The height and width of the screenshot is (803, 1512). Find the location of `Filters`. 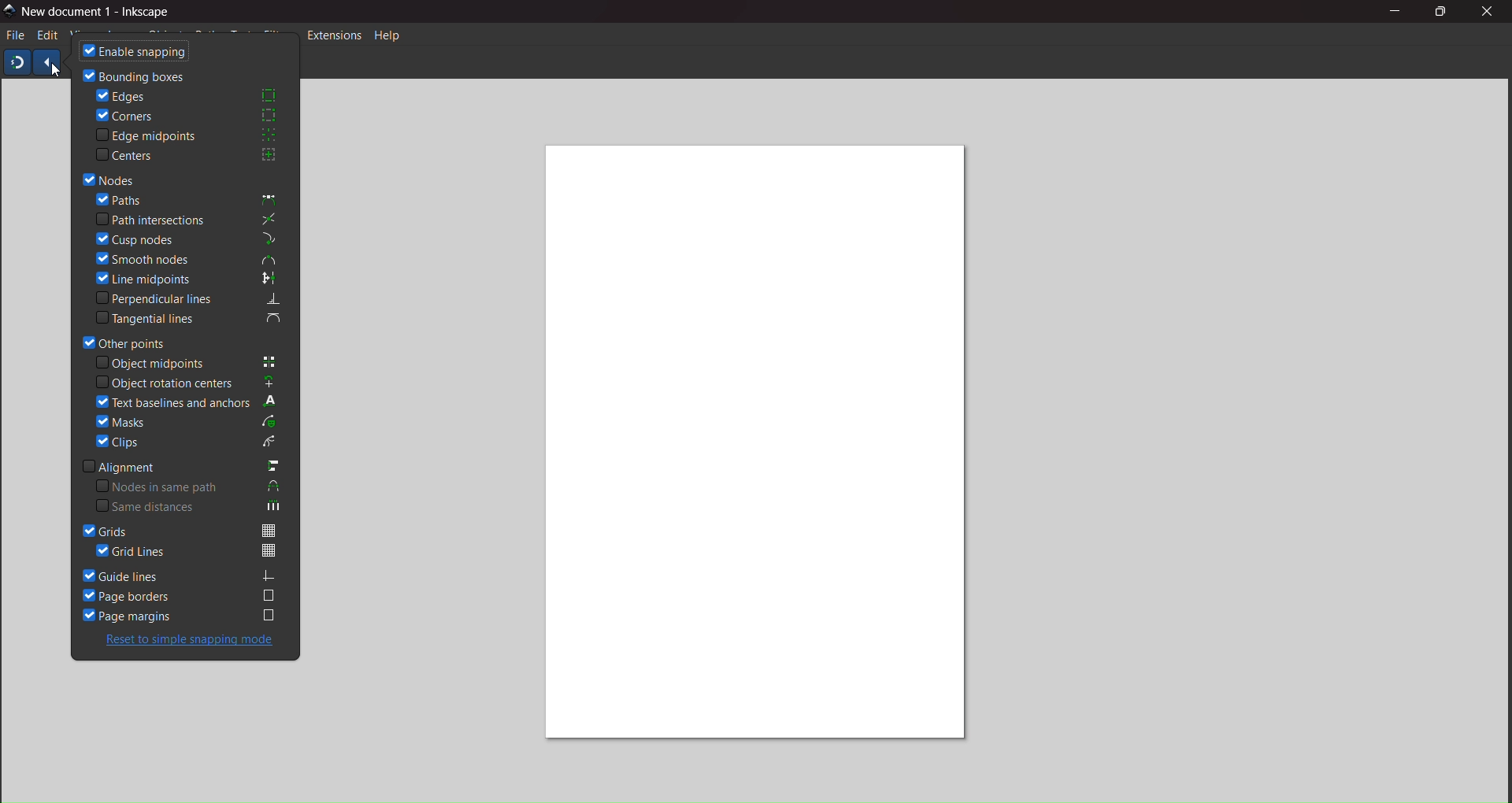

Filters is located at coordinates (278, 35).